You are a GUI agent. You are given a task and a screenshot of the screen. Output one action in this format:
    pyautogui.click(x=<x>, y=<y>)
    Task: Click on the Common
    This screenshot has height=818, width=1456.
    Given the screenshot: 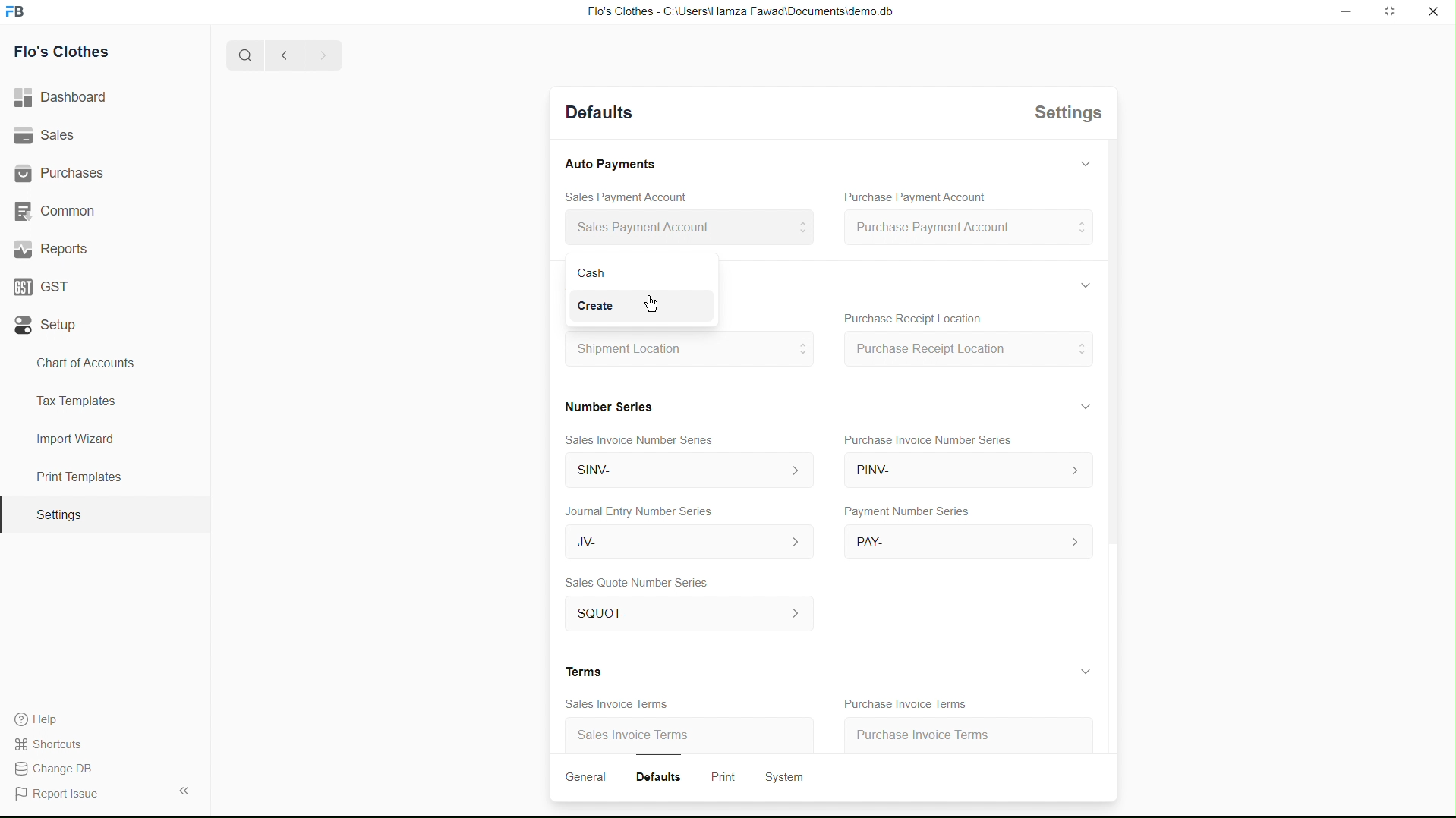 What is the action you would take?
    pyautogui.click(x=58, y=209)
    